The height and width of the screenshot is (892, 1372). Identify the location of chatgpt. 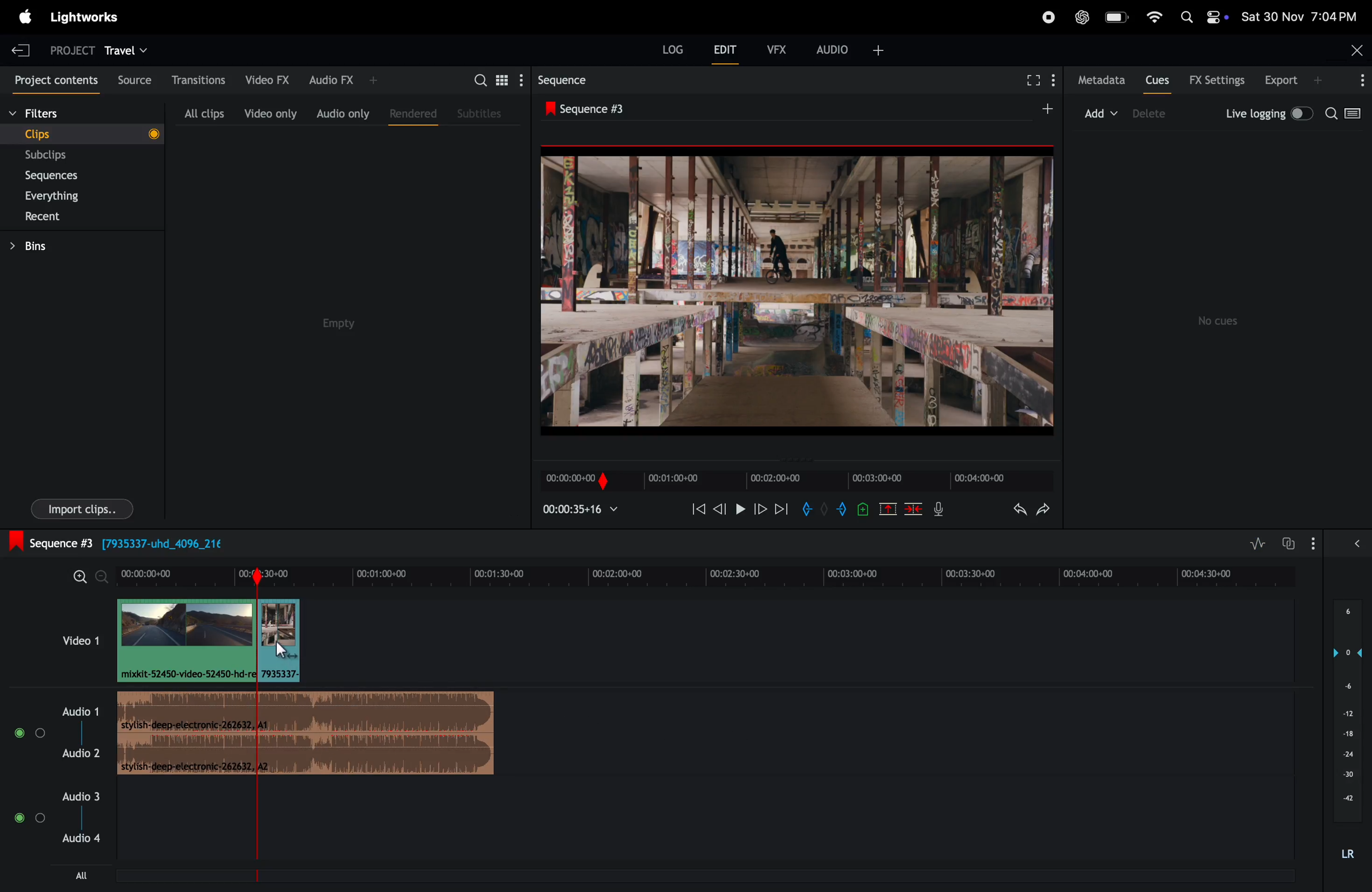
(1083, 16).